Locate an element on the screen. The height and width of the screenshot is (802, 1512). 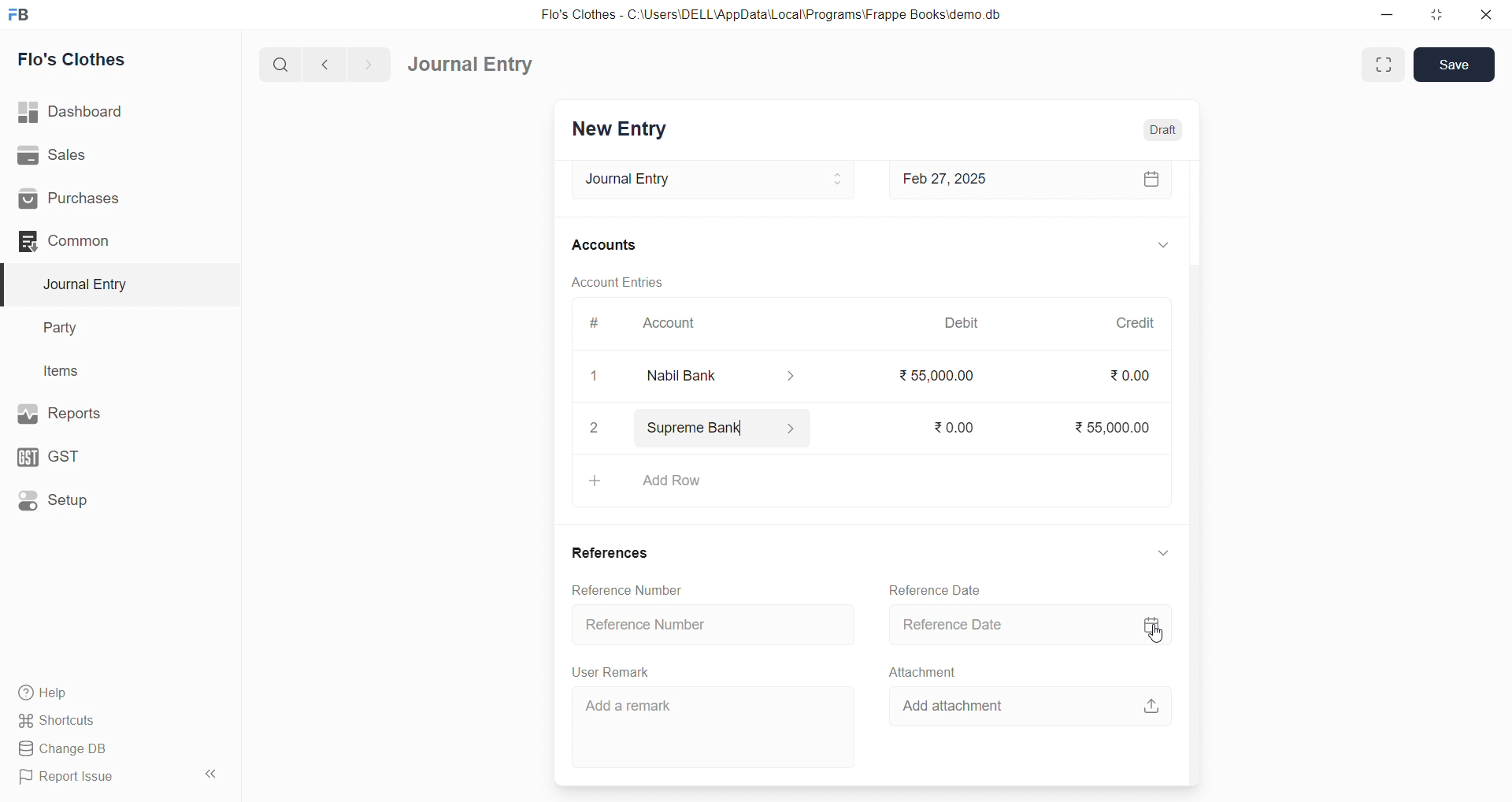
Accounts is located at coordinates (606, 247).